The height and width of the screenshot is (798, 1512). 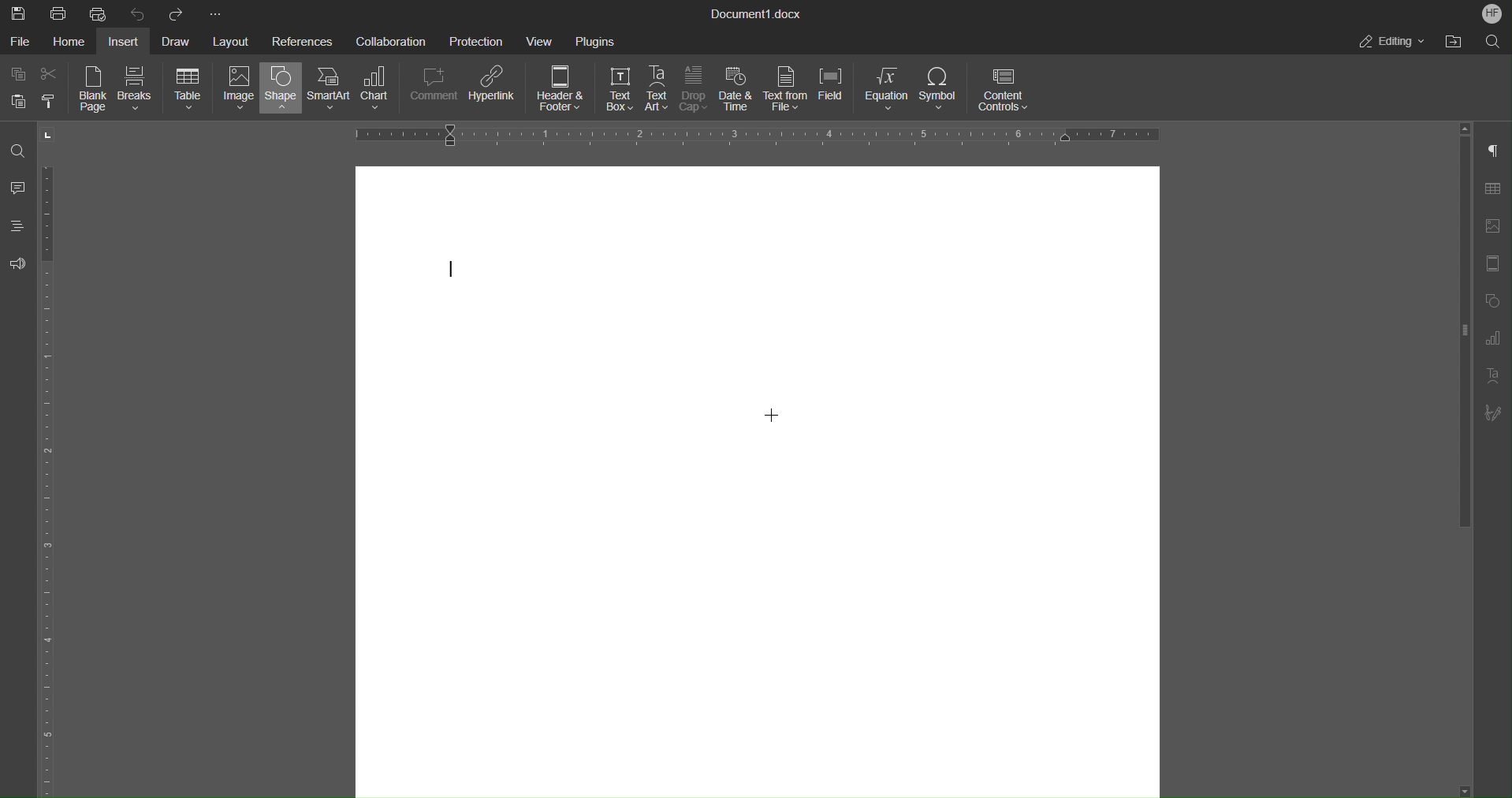 I want to click on Cursor, so click(x=765, y=420).